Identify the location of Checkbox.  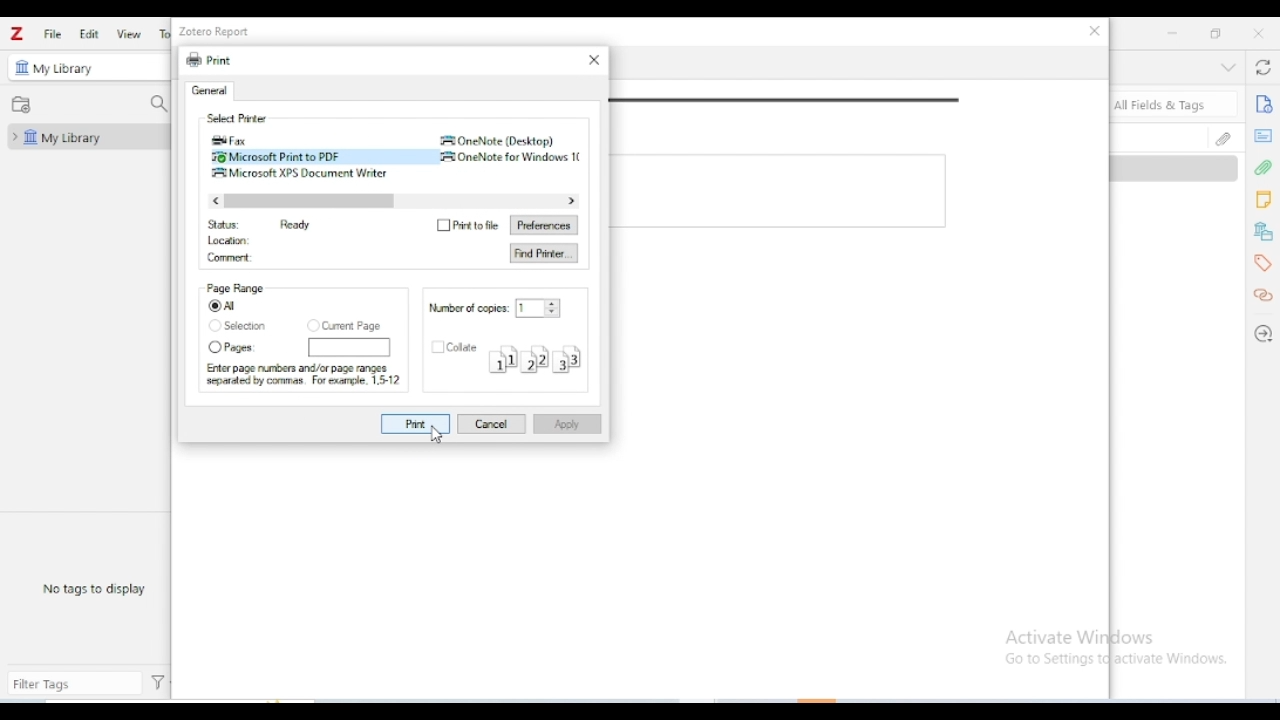
(212, 348).